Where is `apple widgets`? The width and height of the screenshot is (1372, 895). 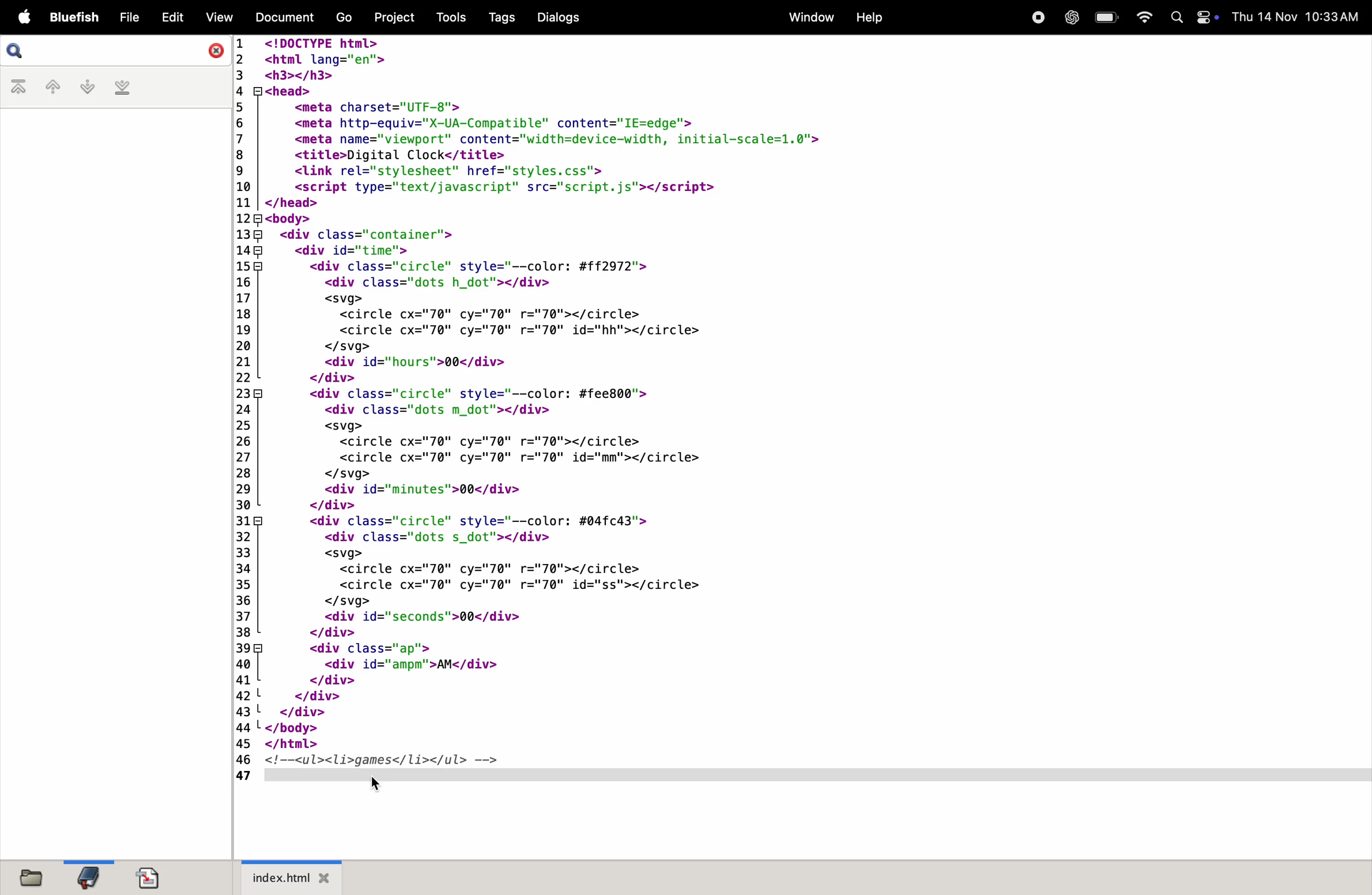
apple widgets is located at coordinates (1193, 17).